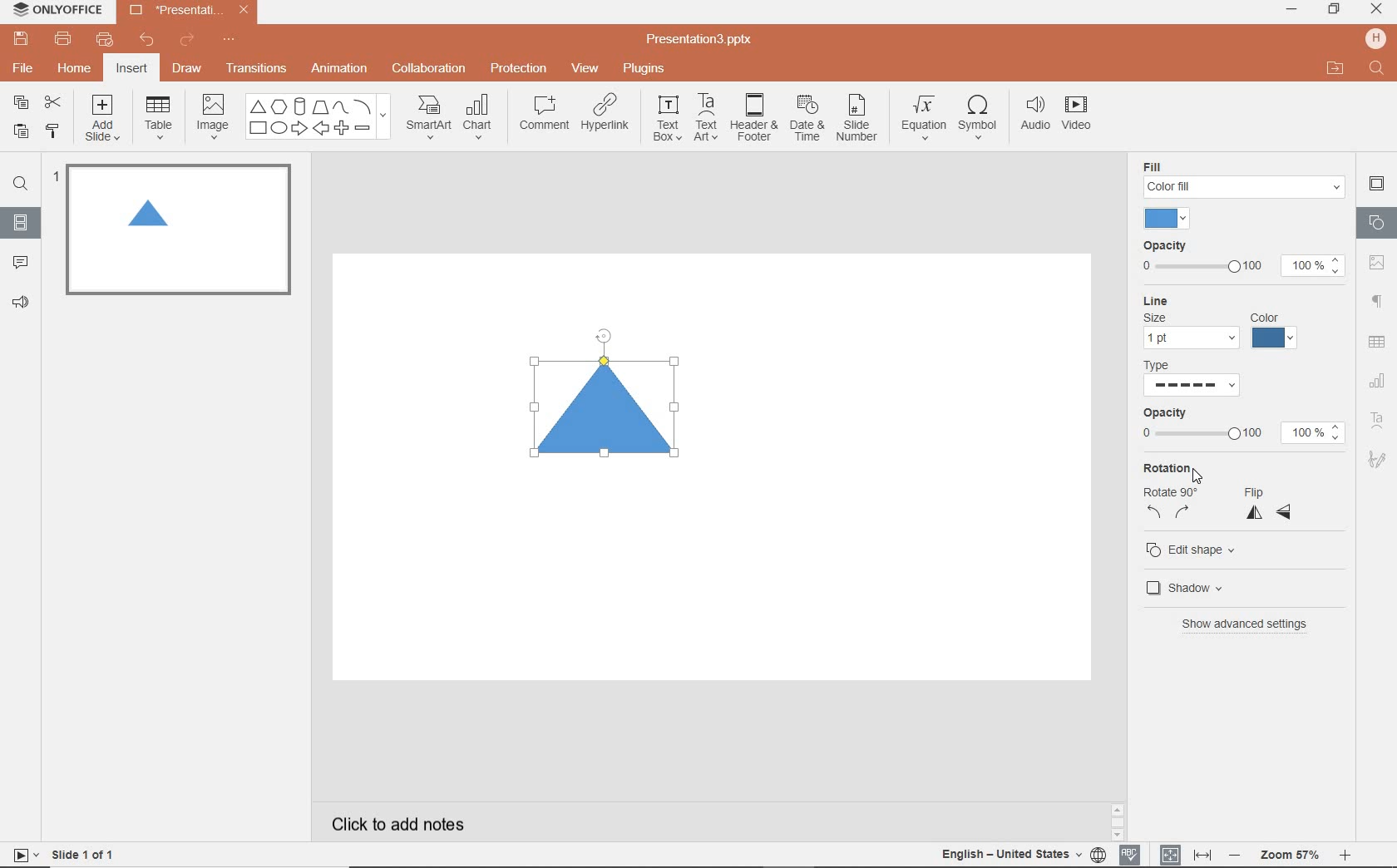 This screenshot has width=1397, height=868. I want to click on CUT, so click(54, 101).